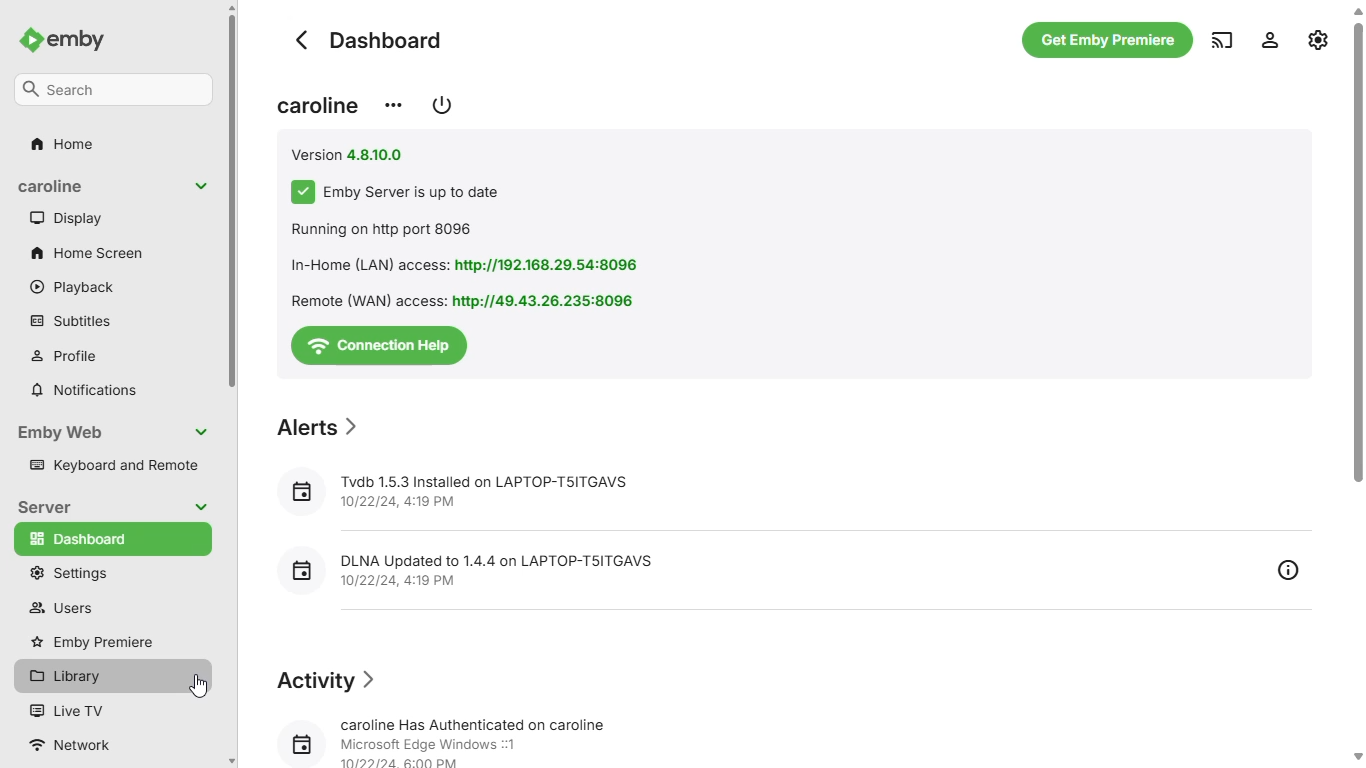 The width and height of the screenshot is (1366, 768). Describe the element at coordinates (83, 389) in the screenshot. I see `notifications` at that location.